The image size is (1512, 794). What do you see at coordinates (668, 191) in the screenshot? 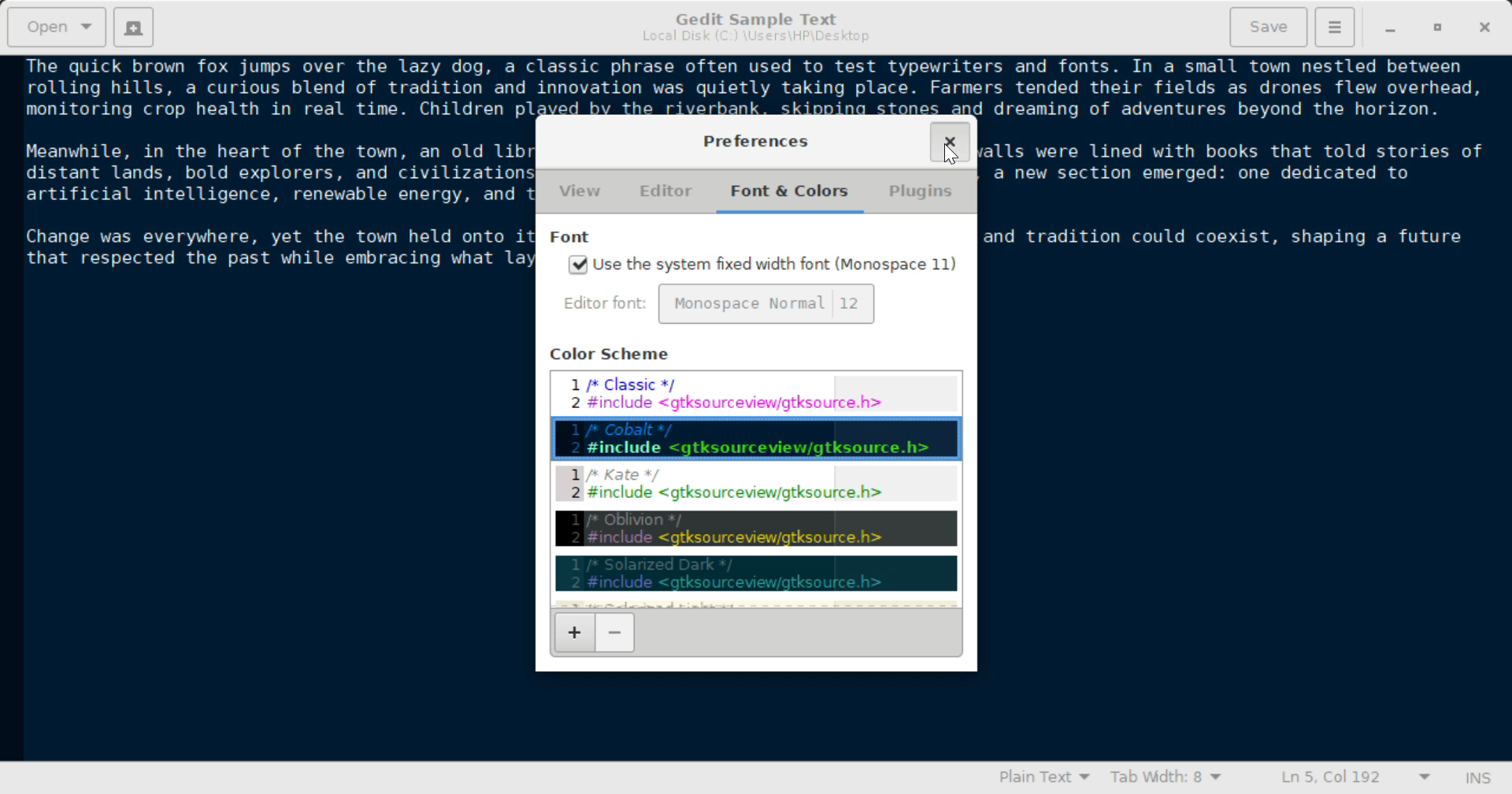
I see `Editor Tab` at bounding box center [668, 191].